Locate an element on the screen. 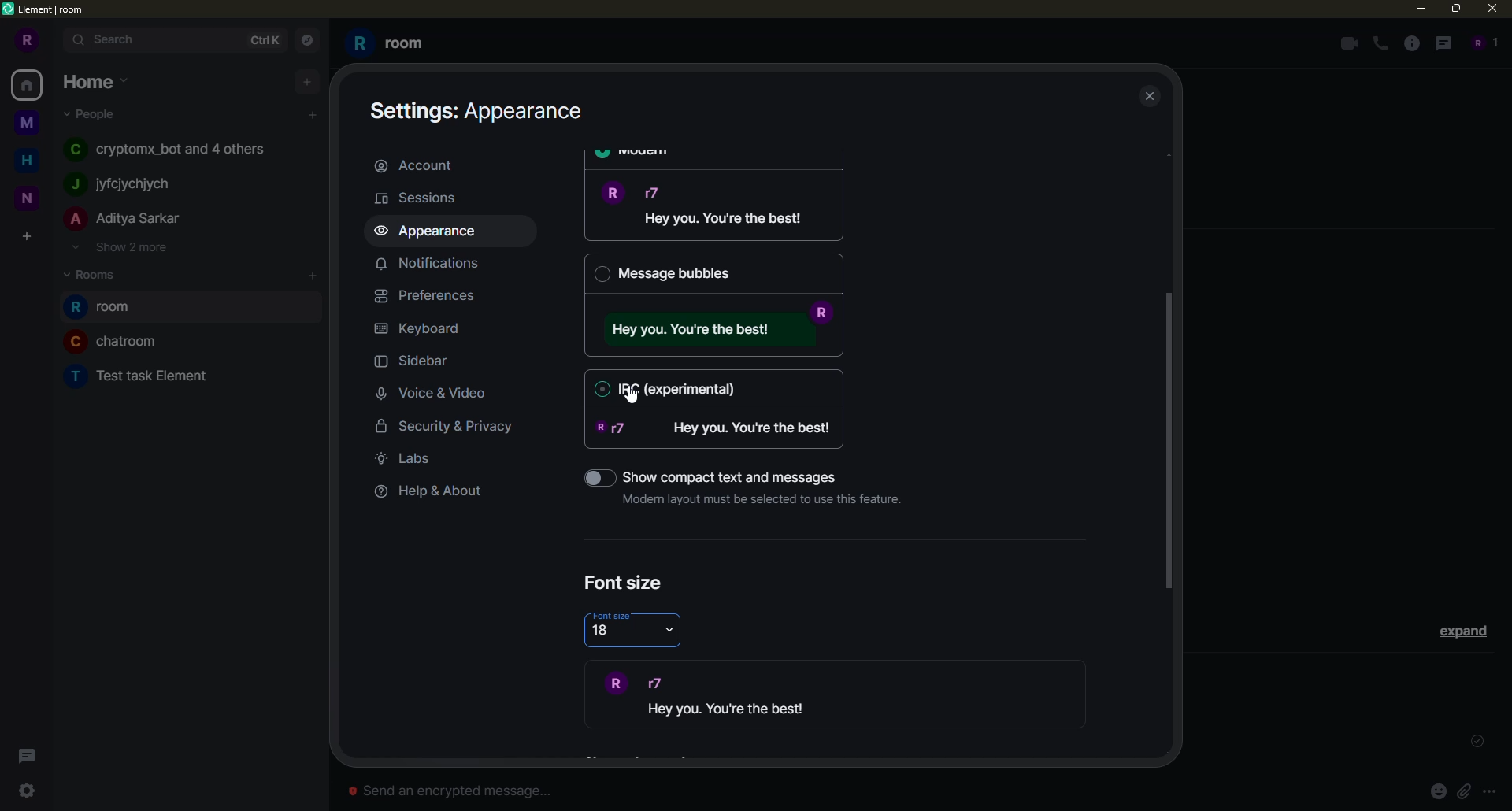 The height and width of the screenshot is (811, 1512). ‘Show compact text and messages is located at coordinates (737, 478).